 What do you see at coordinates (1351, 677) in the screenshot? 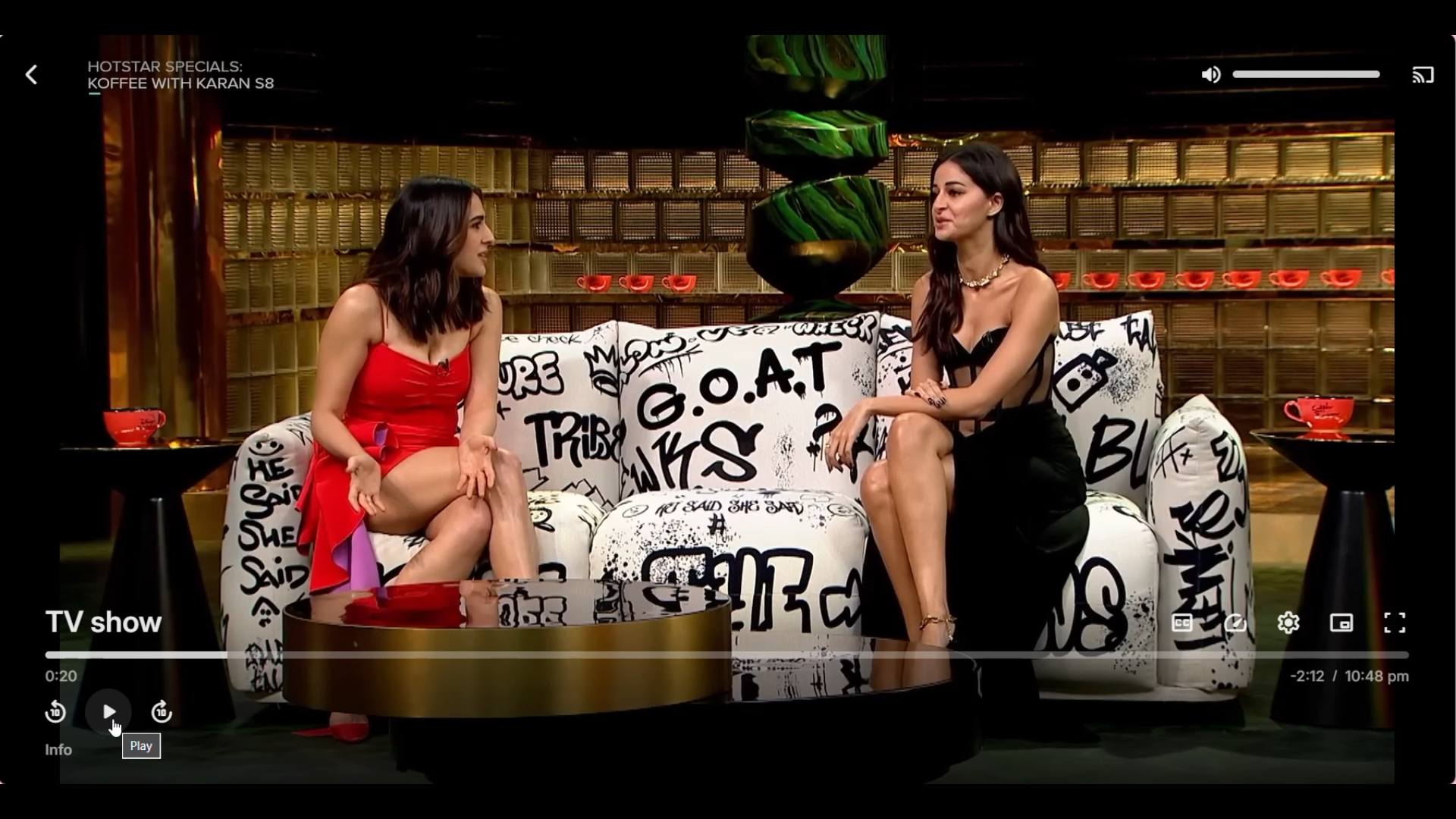
I see `Time and duration of video left to play` at bounding box center [1351, 677].